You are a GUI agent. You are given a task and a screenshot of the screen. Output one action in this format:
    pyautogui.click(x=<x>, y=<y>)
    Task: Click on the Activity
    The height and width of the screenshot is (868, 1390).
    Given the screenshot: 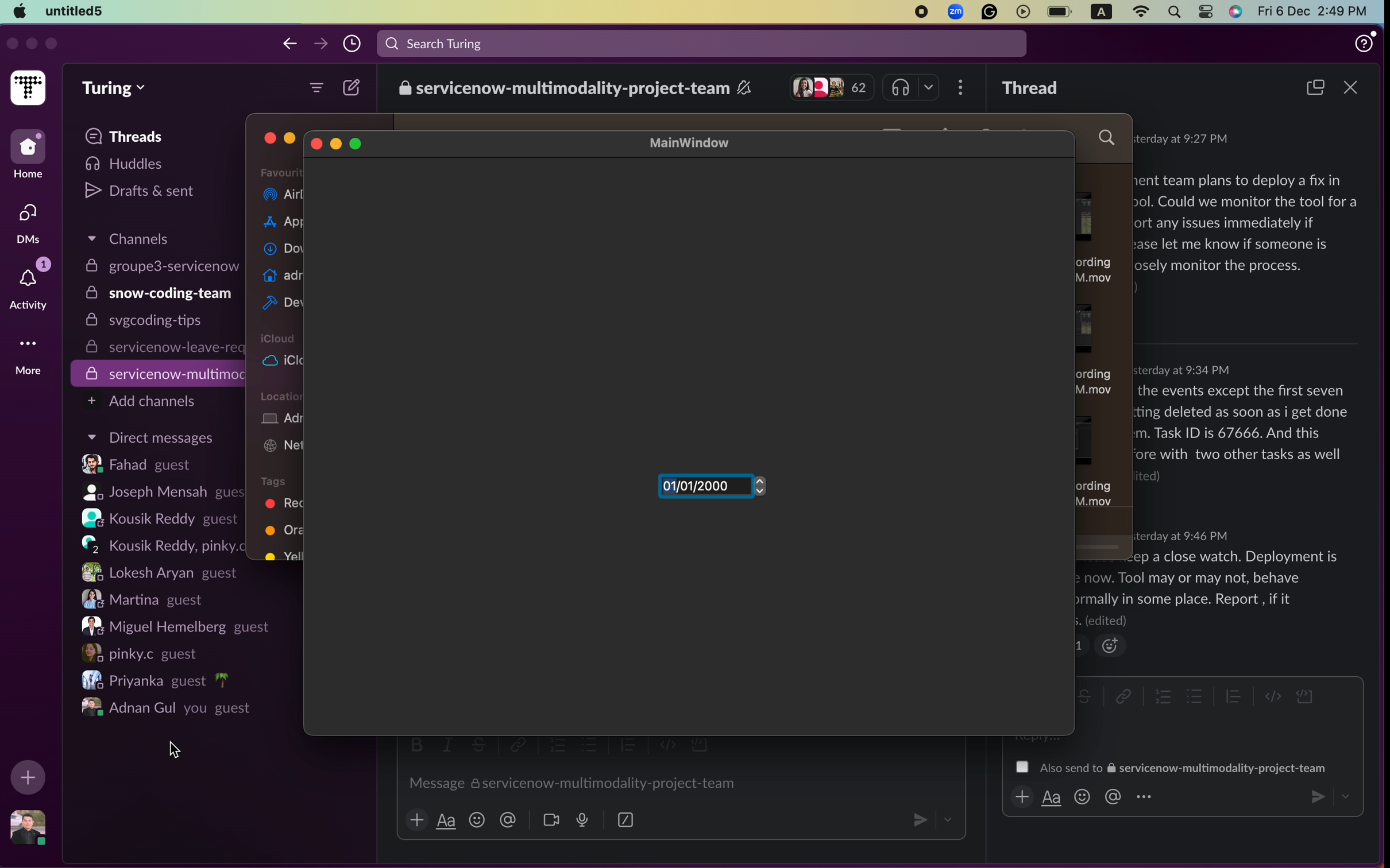 What is the action you would take?
    pyautogui.click(x=32, y=285)
    